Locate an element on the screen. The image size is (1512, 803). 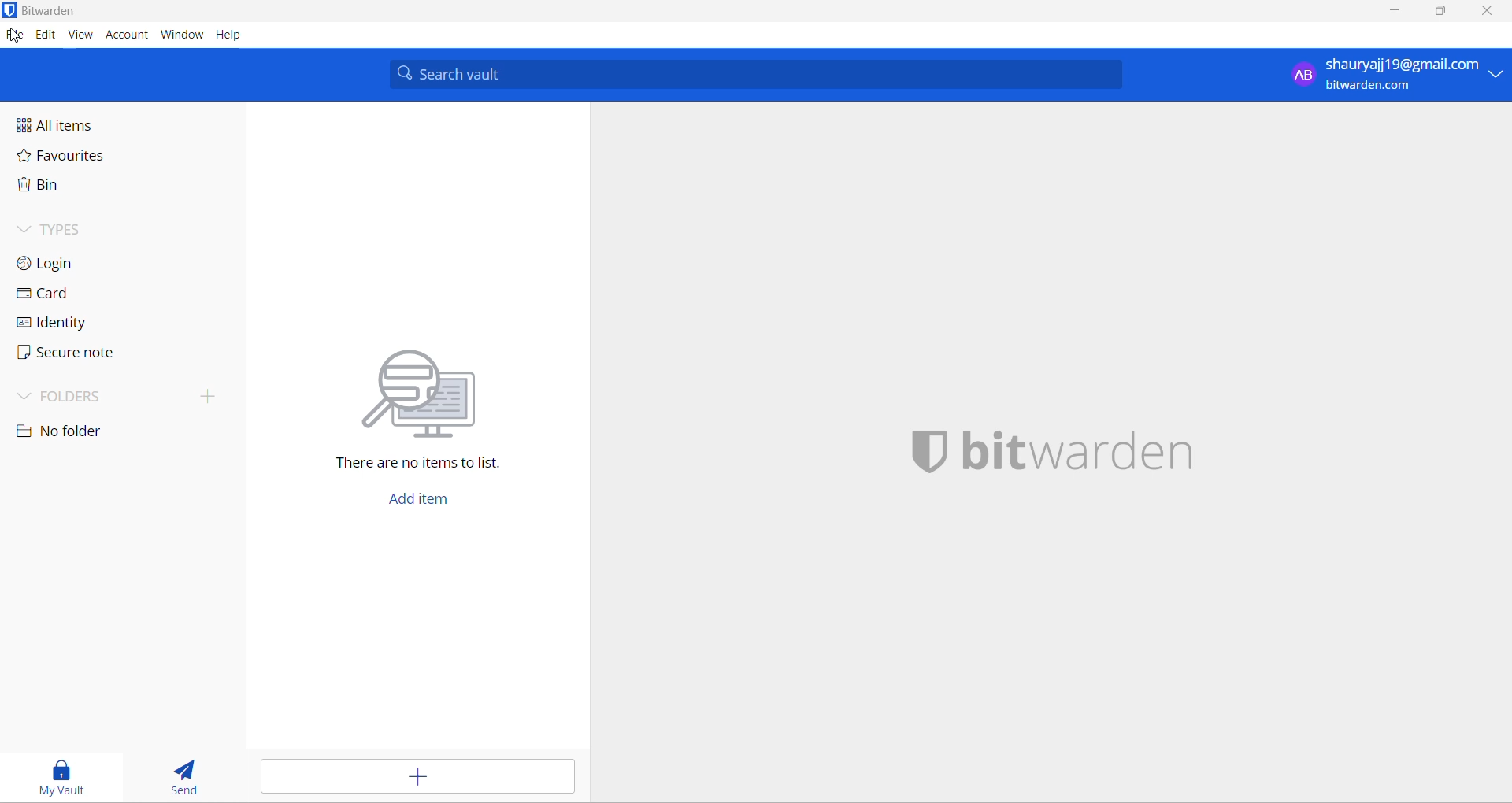
send is located at coordinates (191, 776).